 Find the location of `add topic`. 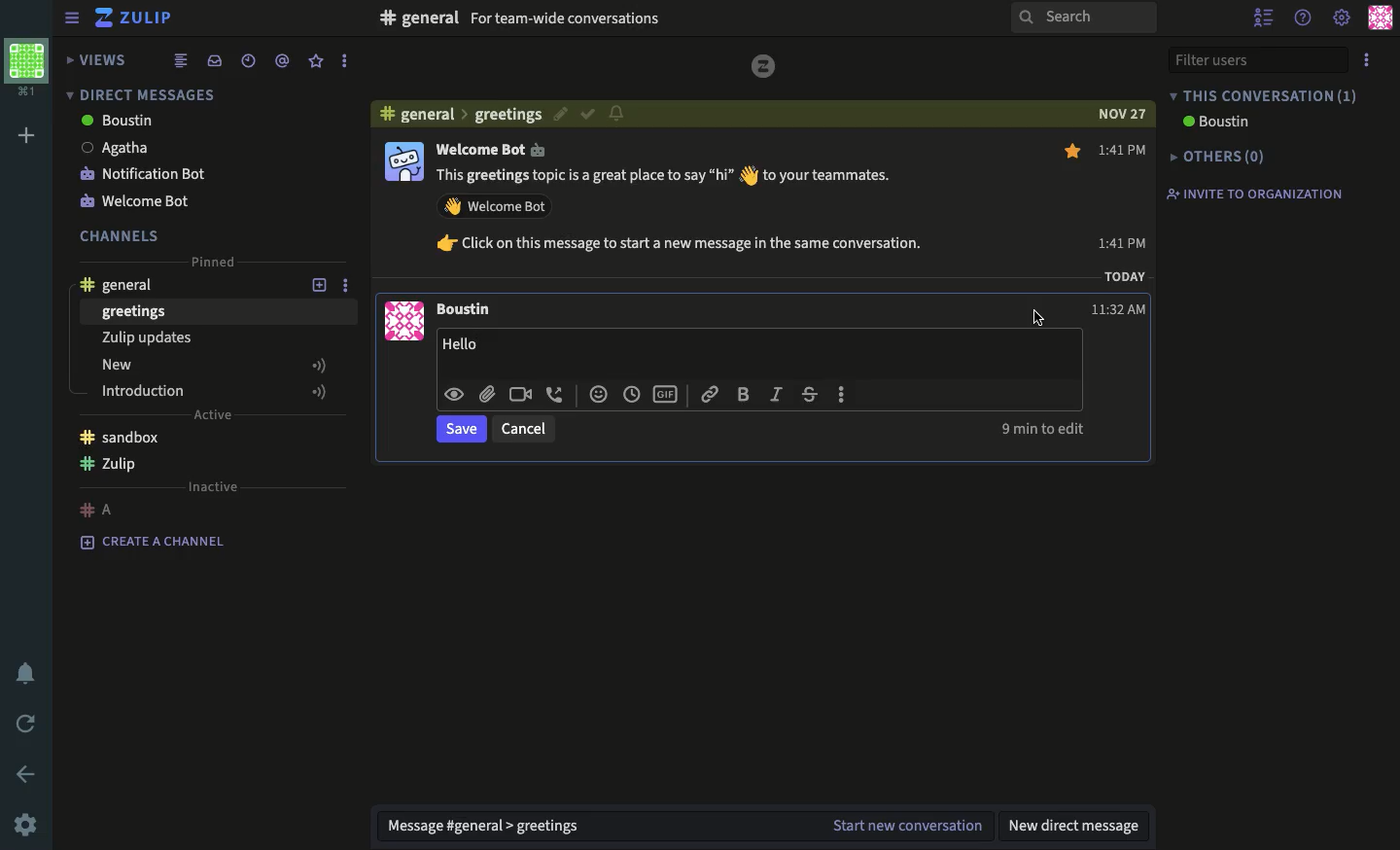

add topic is located at coordinates (308, 283).